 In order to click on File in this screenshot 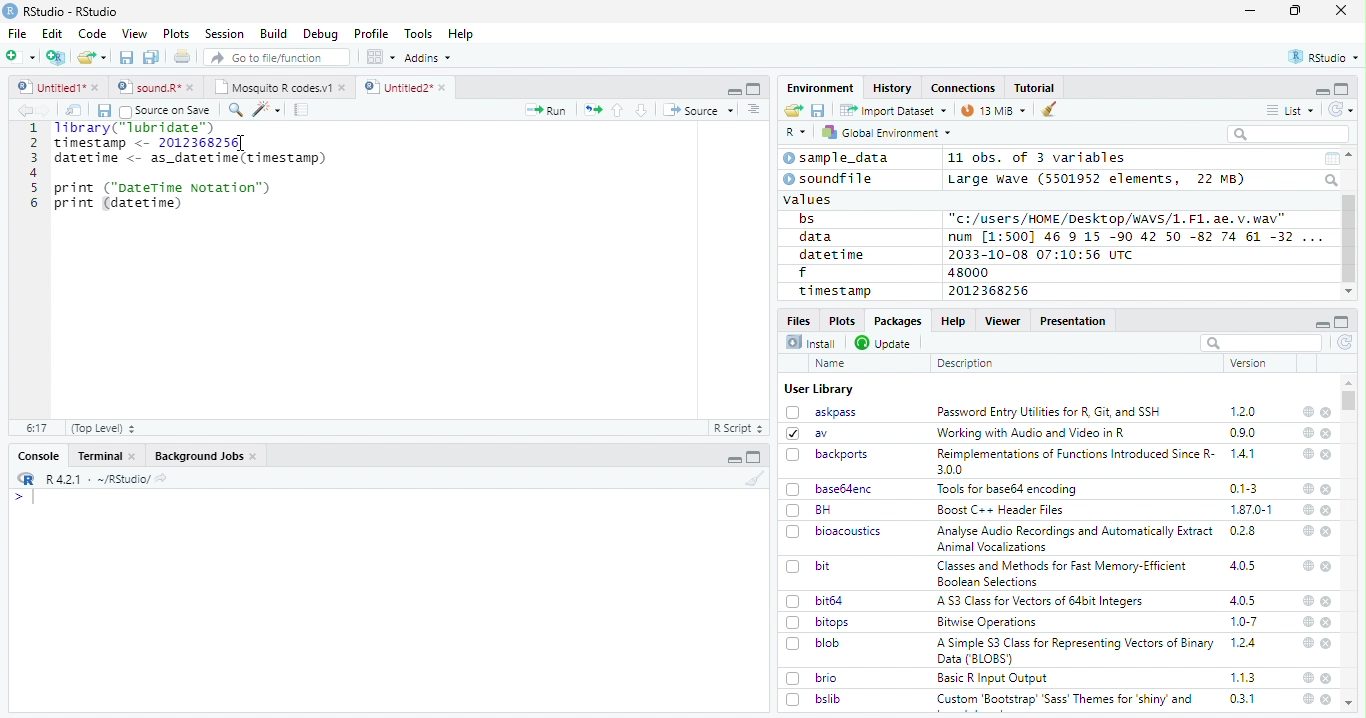, I will do `click(16, 33)`.